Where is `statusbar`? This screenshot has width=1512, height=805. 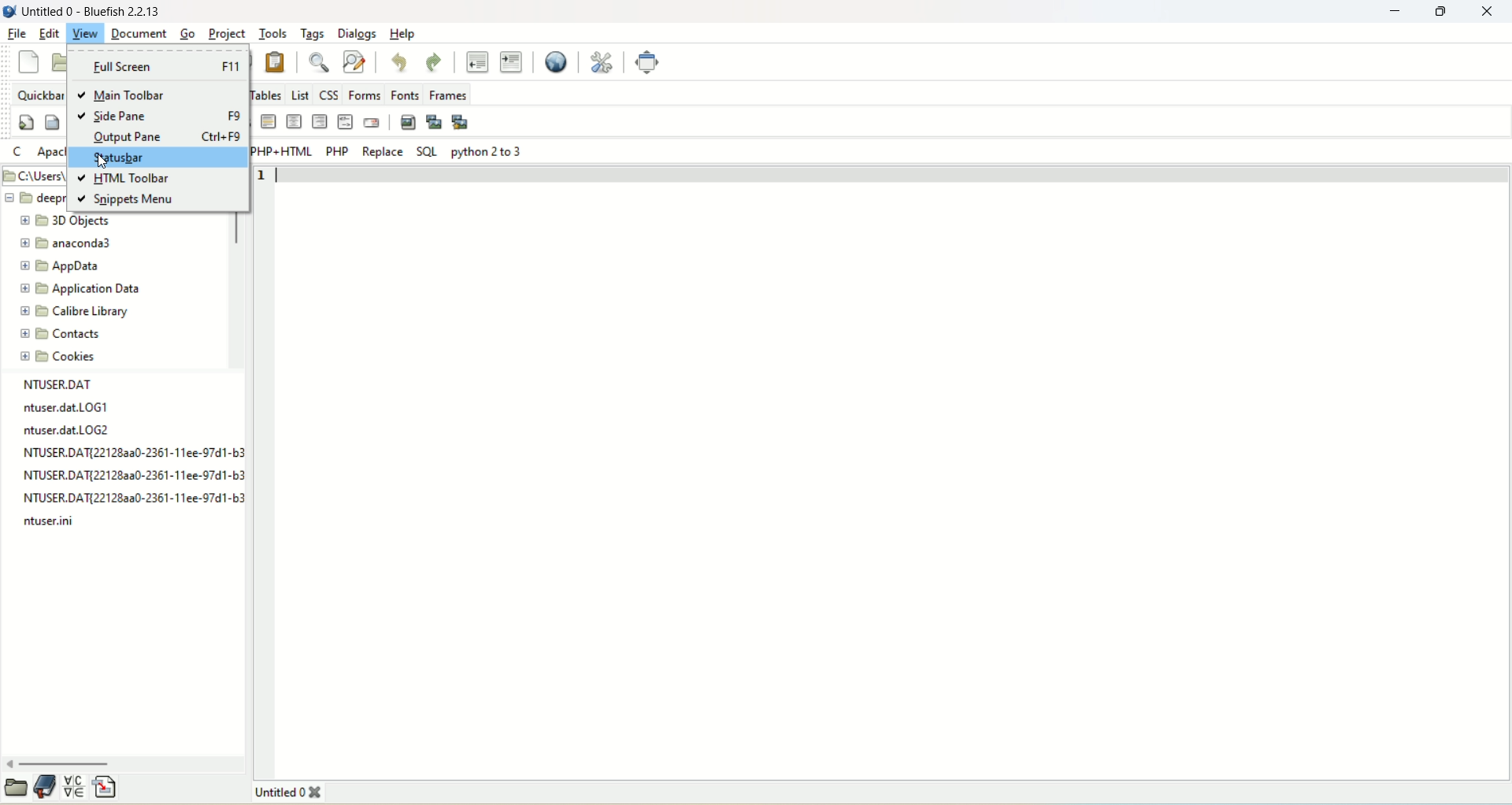
statusbar is located at coordinates (157, 159).